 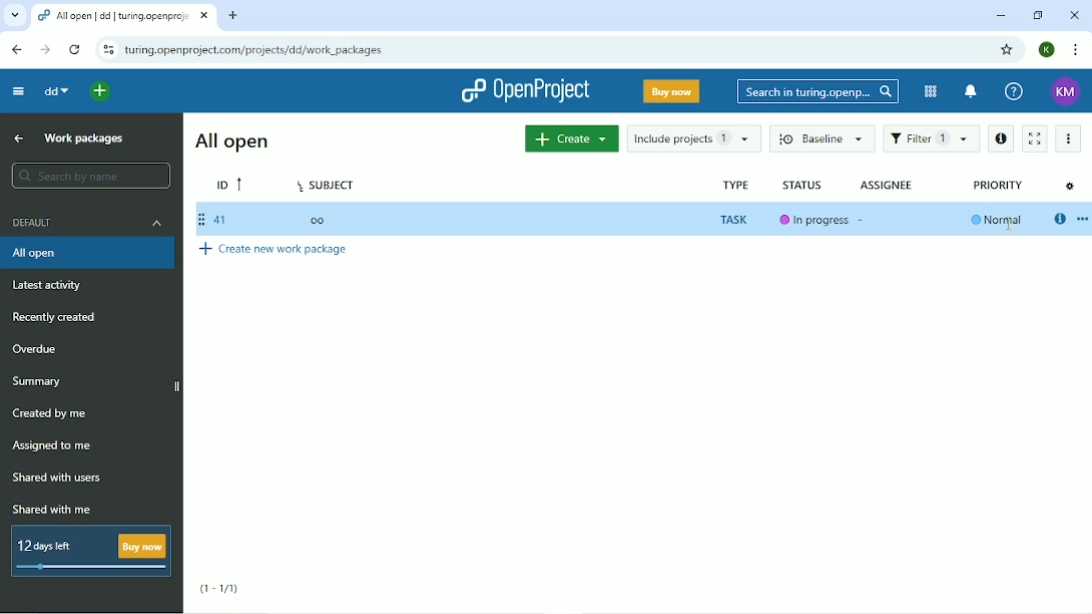 I want to click on To notification center, so click(x=970, y=92).